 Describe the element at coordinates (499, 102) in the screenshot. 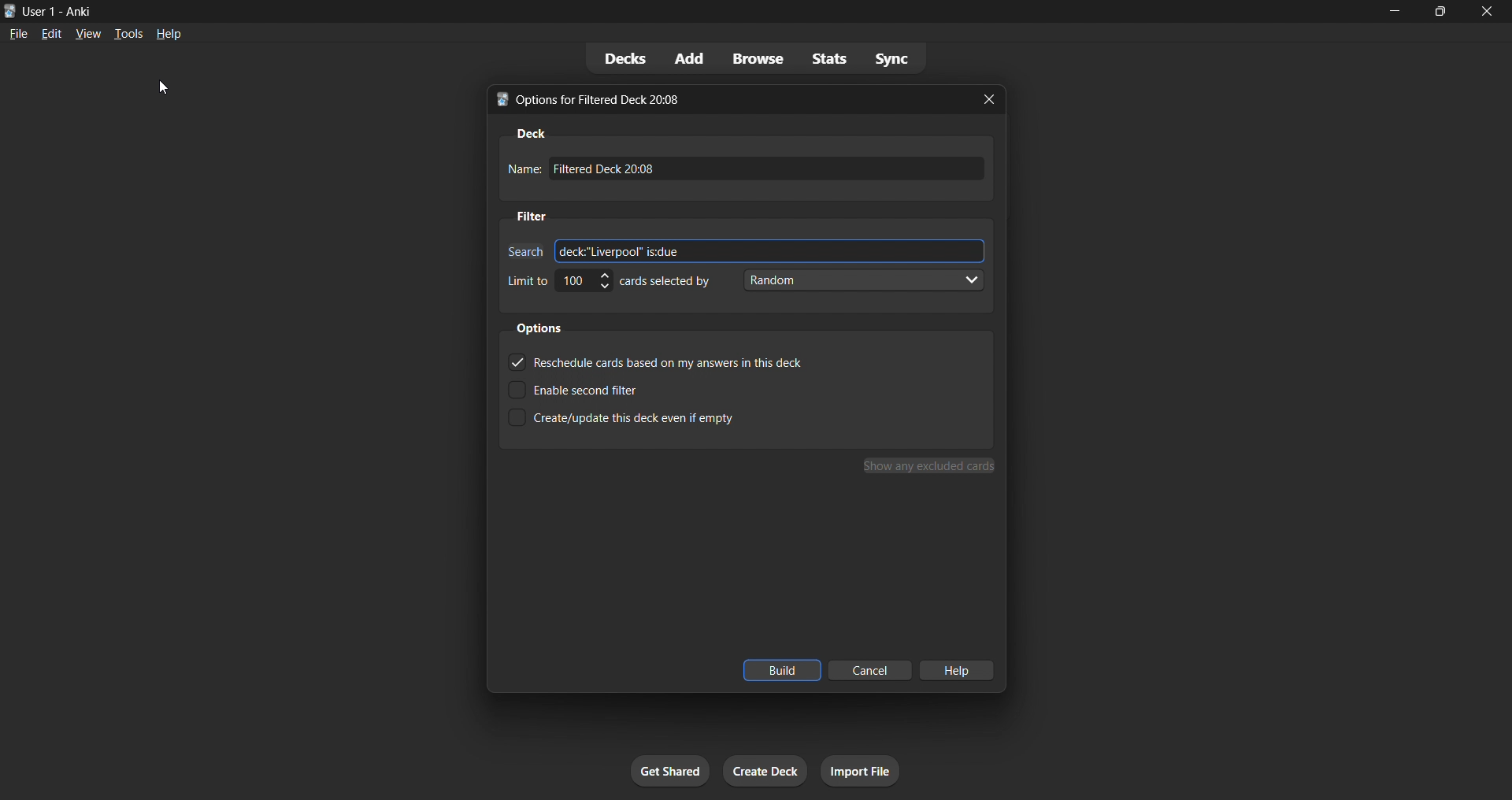

I see `Anki Desktop icon` at that location.